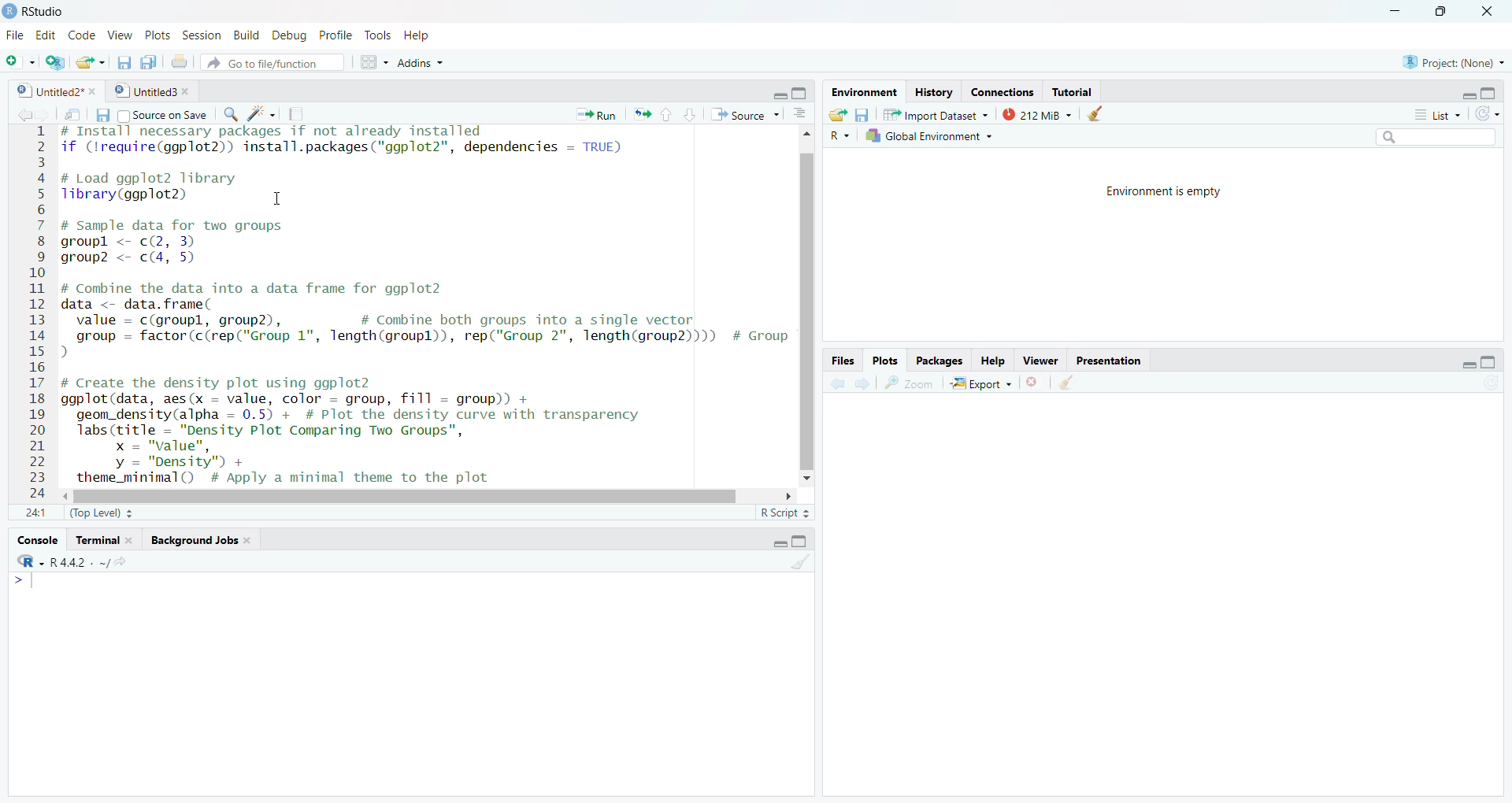  What do you see at coordinates (75, 563) in the screenshot?
I see `R .R.4.4.2` at bounding box center [75, 563].